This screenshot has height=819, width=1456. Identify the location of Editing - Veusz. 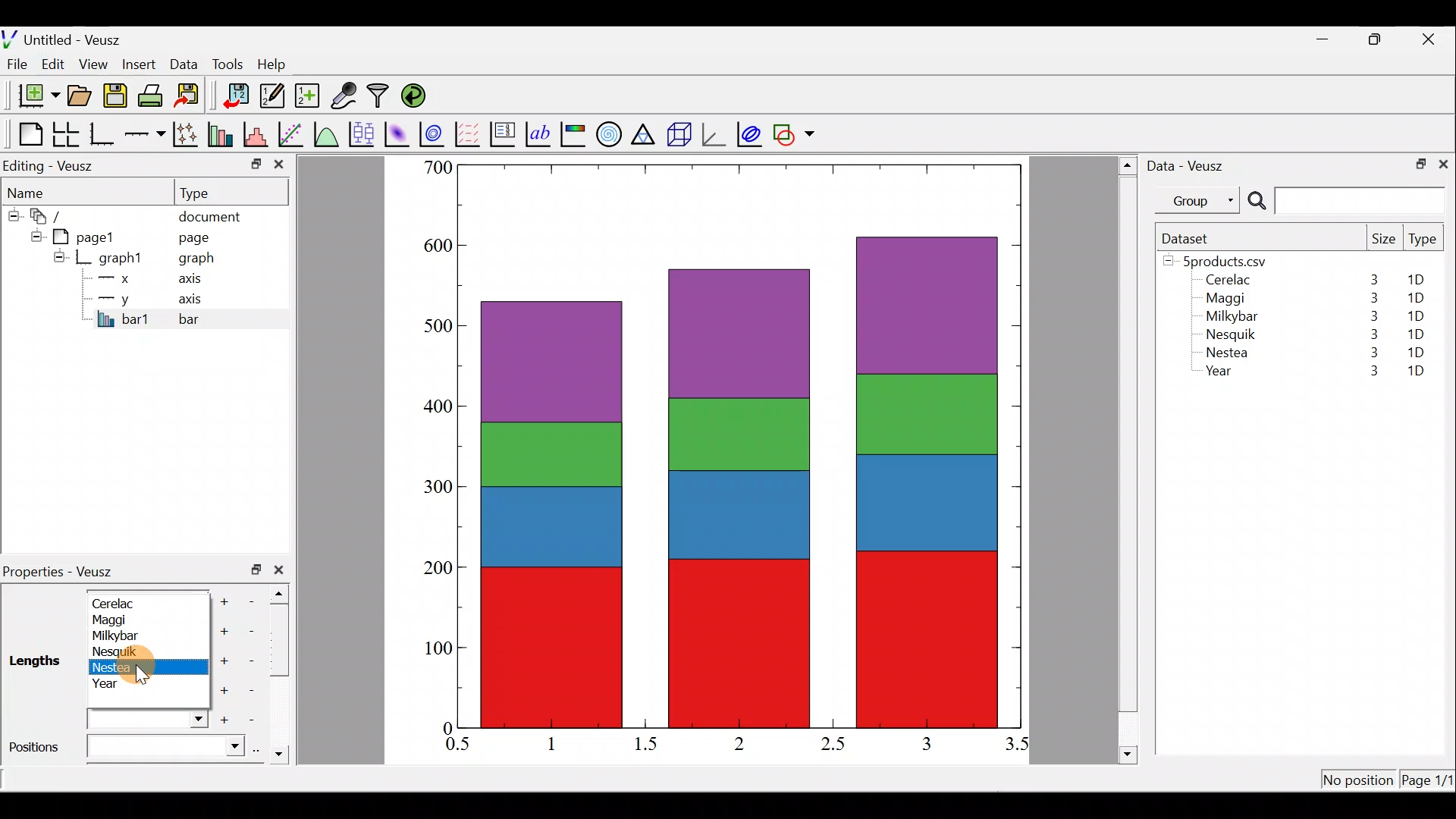
(52, 165).